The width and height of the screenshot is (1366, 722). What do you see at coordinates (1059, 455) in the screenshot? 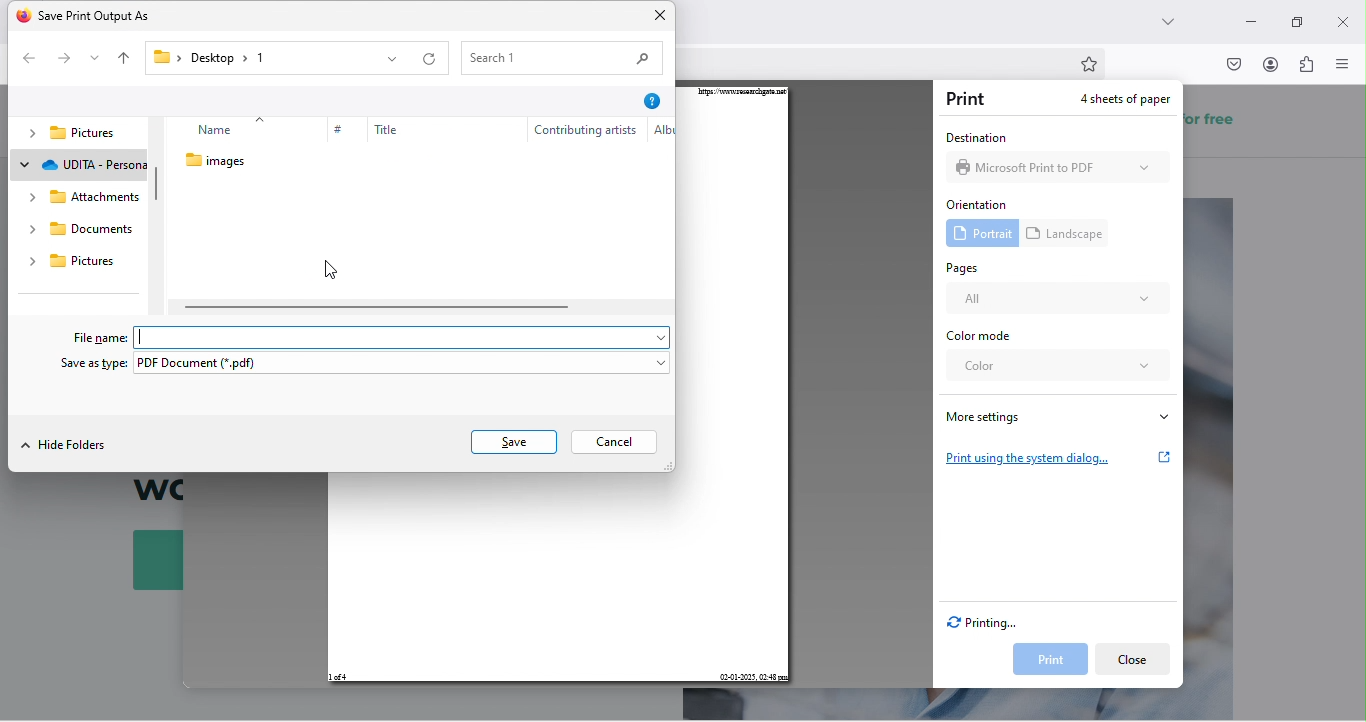
I see `print using the system dialog` at bounding box center [1059, 455].